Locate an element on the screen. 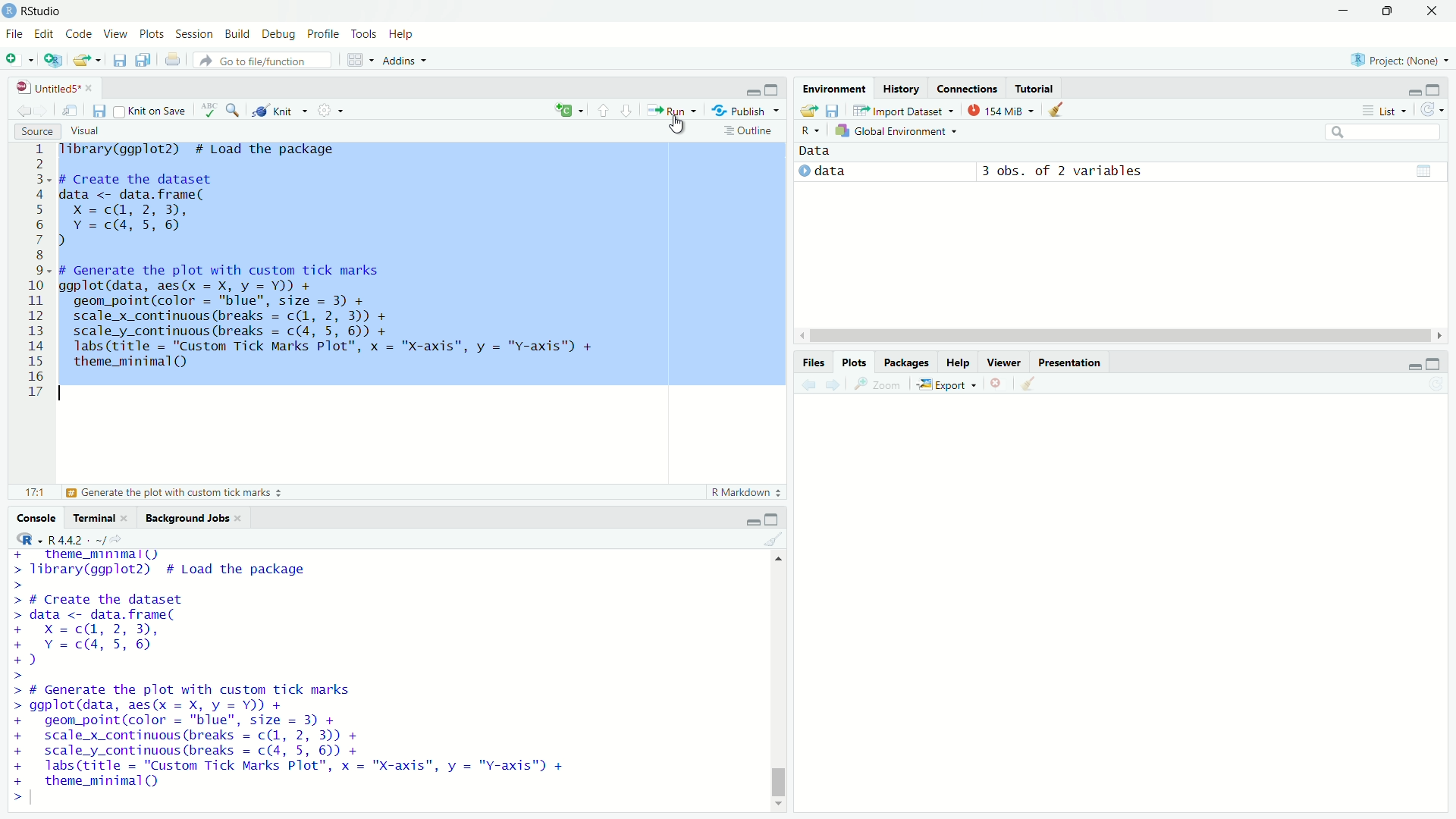 The image size is (1456, 819). settings is located at coordinates (334, 111).